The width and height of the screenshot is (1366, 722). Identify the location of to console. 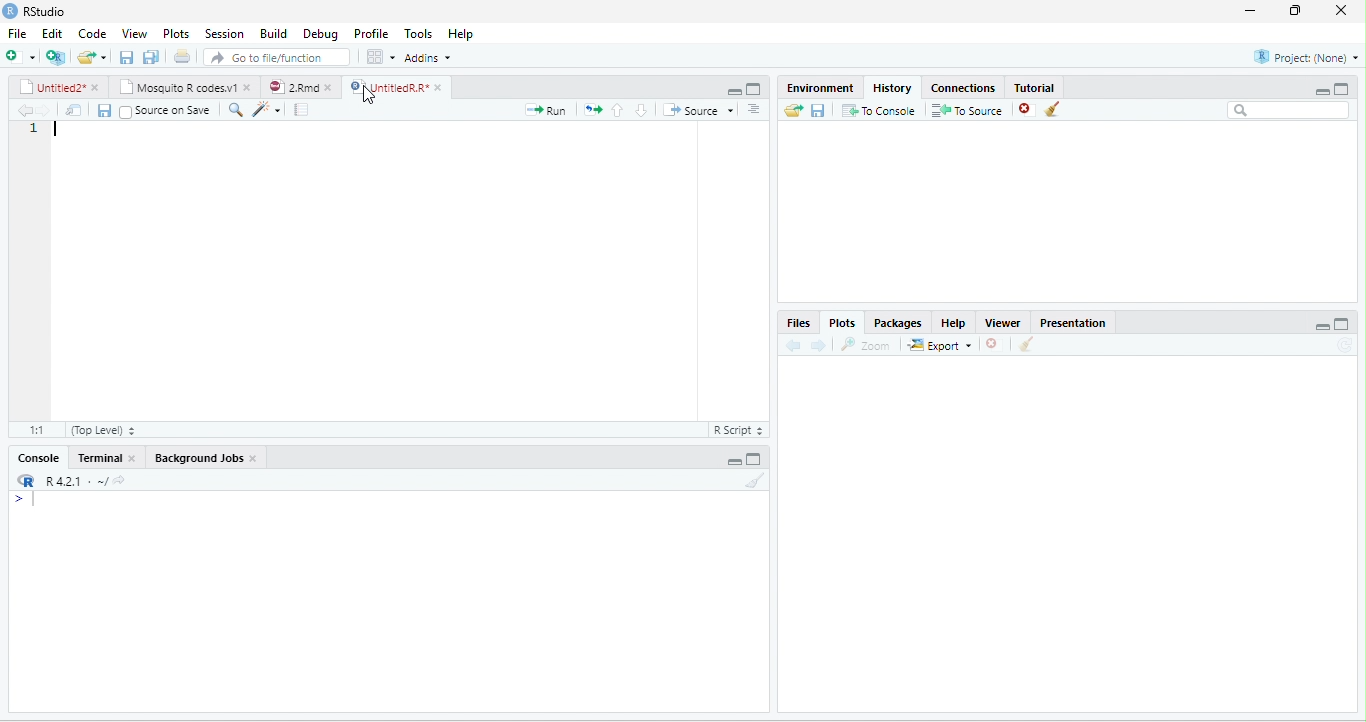
(880, 112).